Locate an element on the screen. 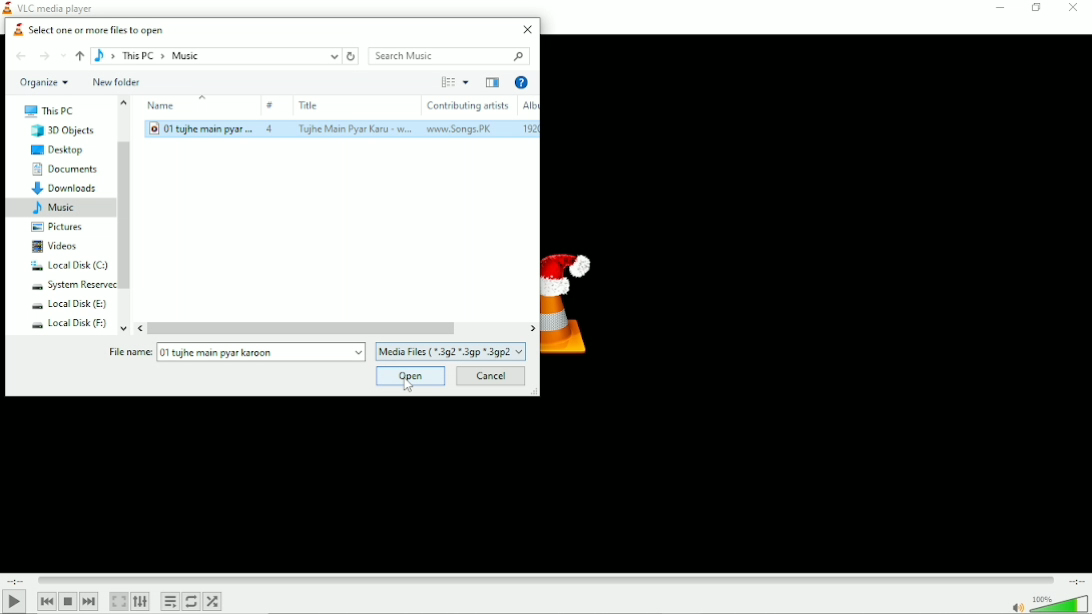 The image size is (1092, 614). move up is located at coordinates (125, 102).